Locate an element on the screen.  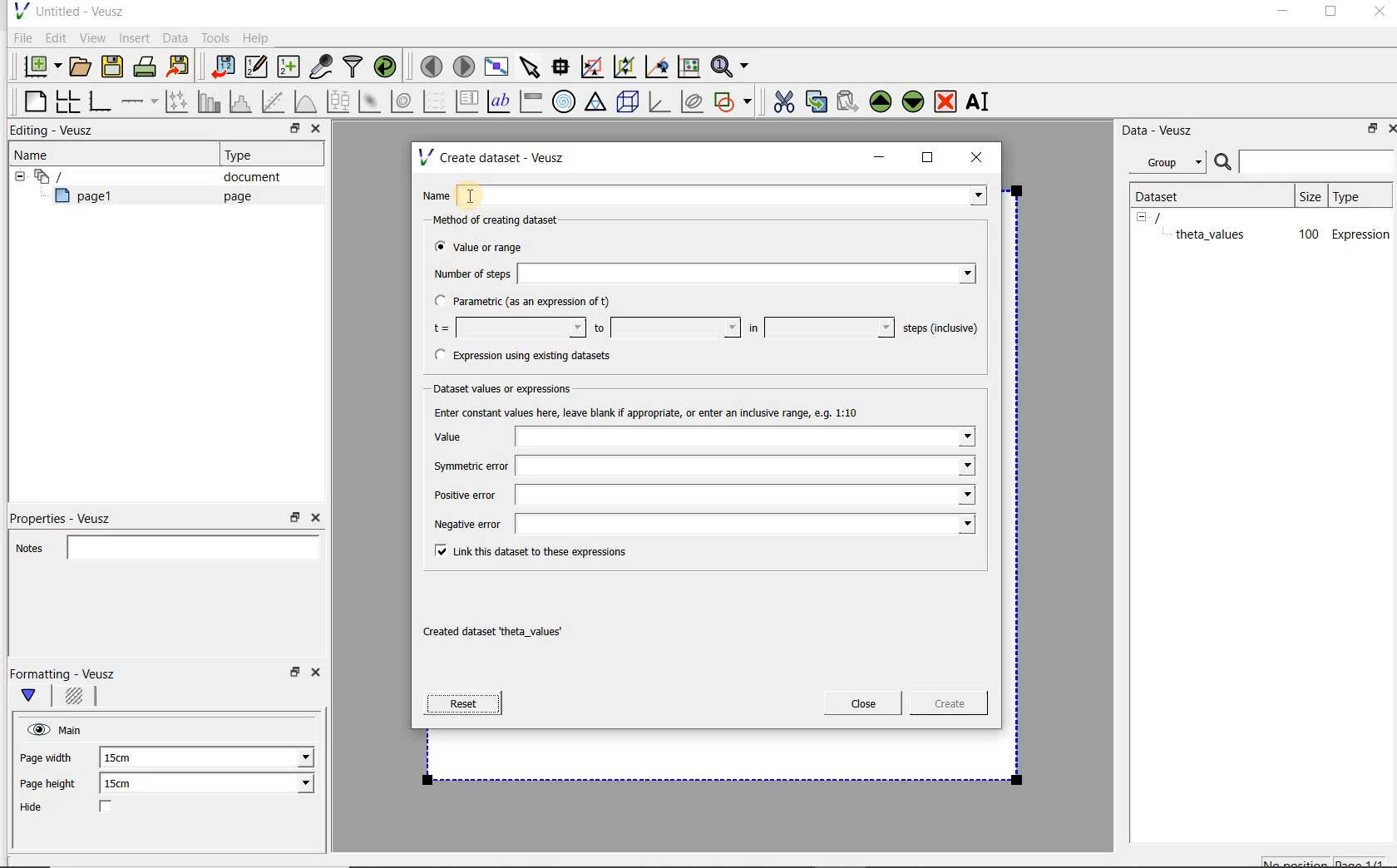
plot covariance ellipses is located at coordinates (693, 101).